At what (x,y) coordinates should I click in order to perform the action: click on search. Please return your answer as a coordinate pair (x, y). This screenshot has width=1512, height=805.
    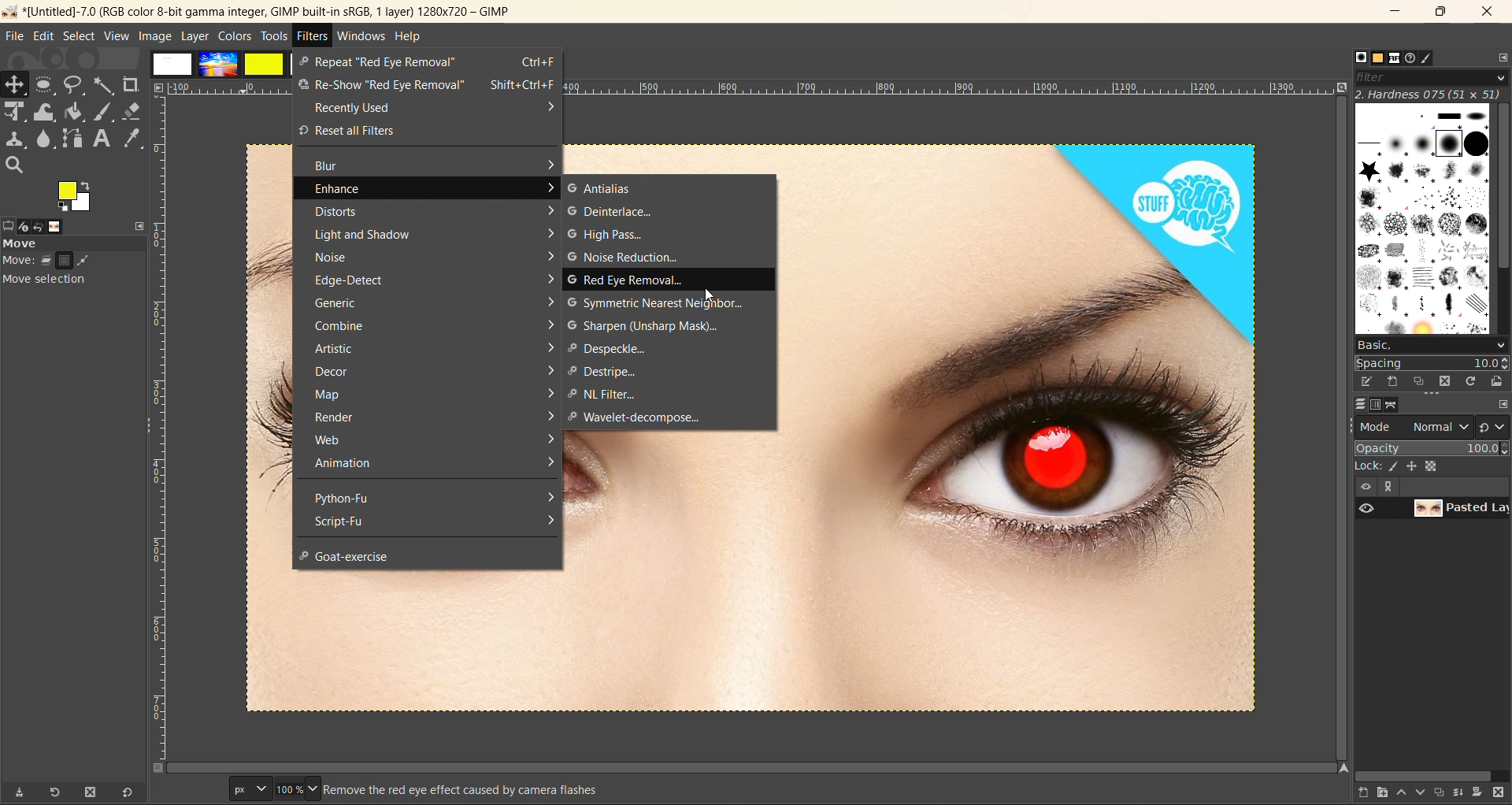
    Looking at the image, I should click on (13, 165).